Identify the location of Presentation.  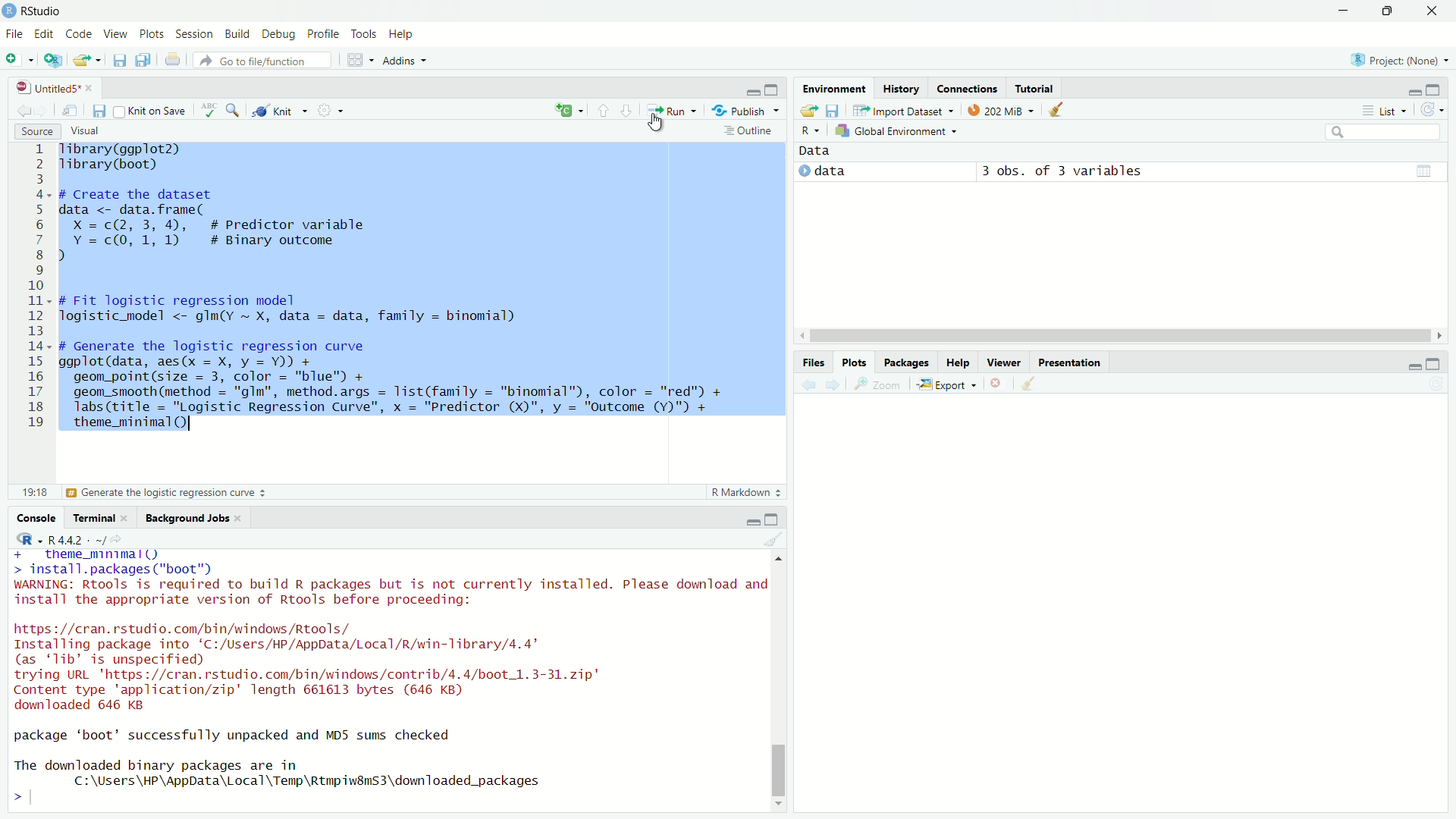
(1071, 362).